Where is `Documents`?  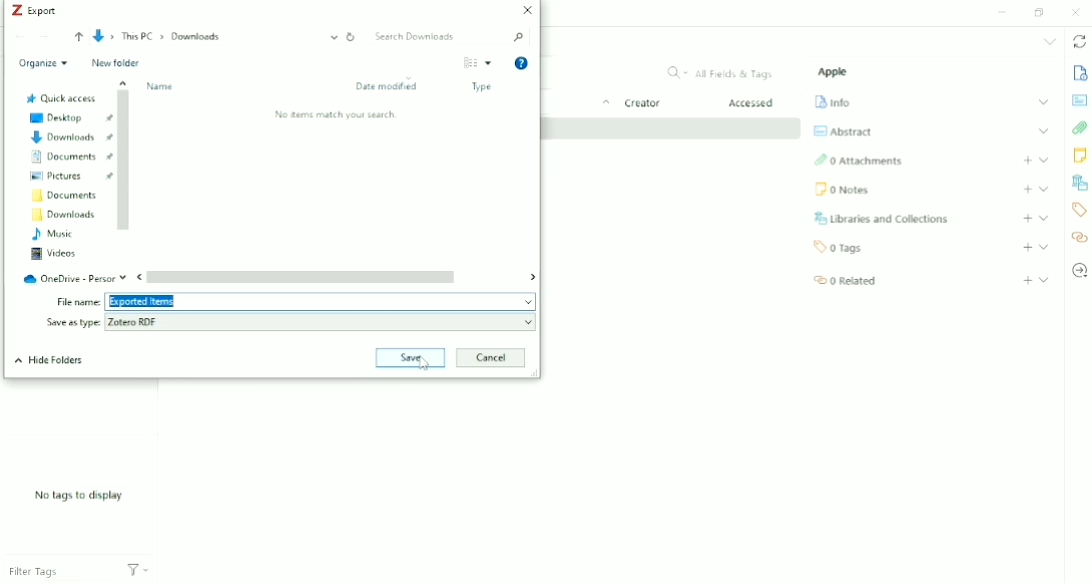
Documents is located at coordinates (62, 195).